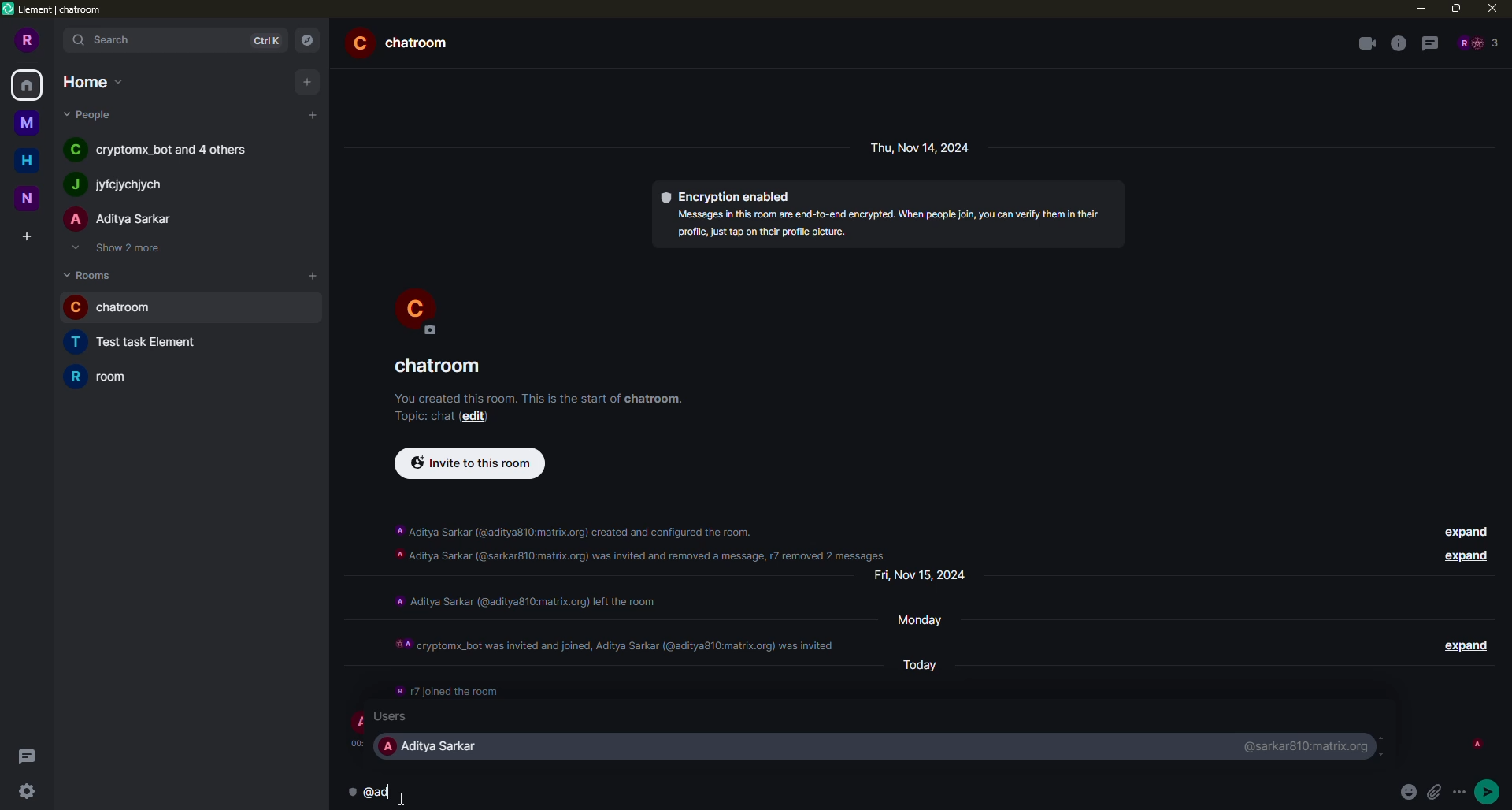 Image resolution: width=1512 pixels, height=810 pixels. I want to click on seen, so click(1476, 744).